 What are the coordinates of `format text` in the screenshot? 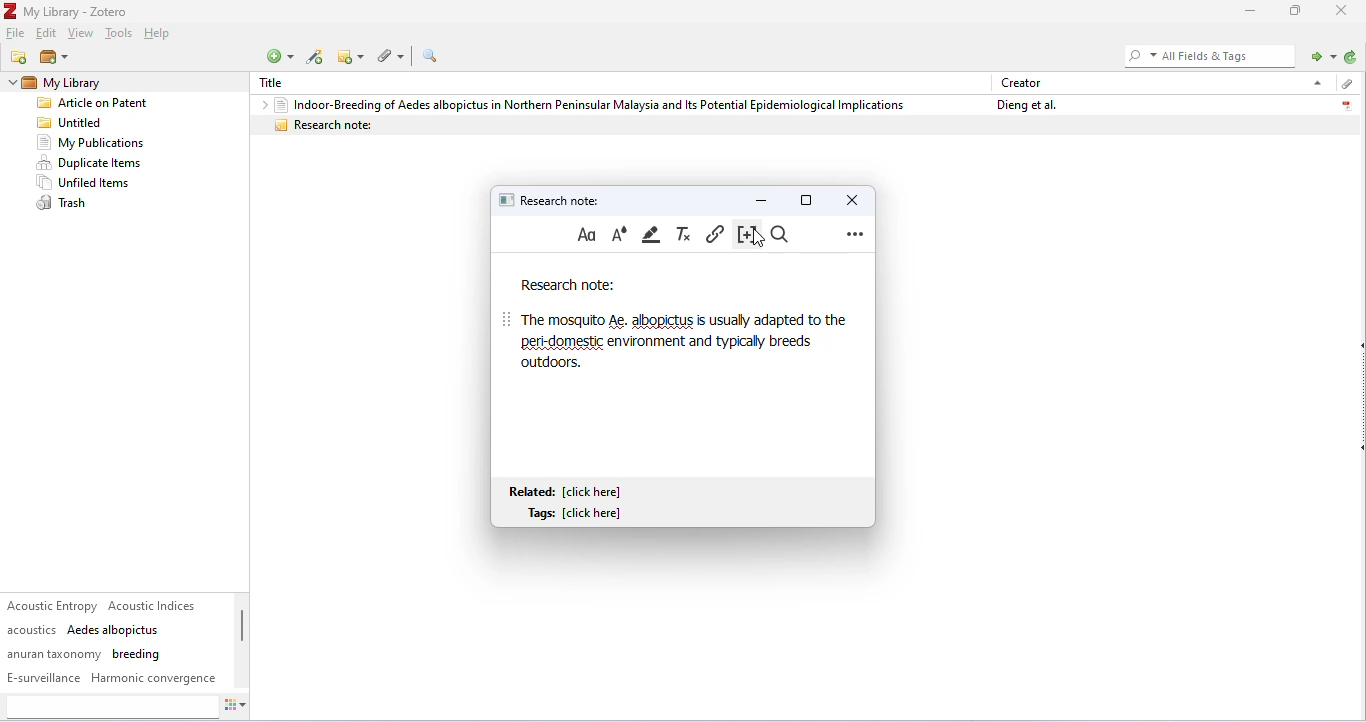 It's located at (587, 235).